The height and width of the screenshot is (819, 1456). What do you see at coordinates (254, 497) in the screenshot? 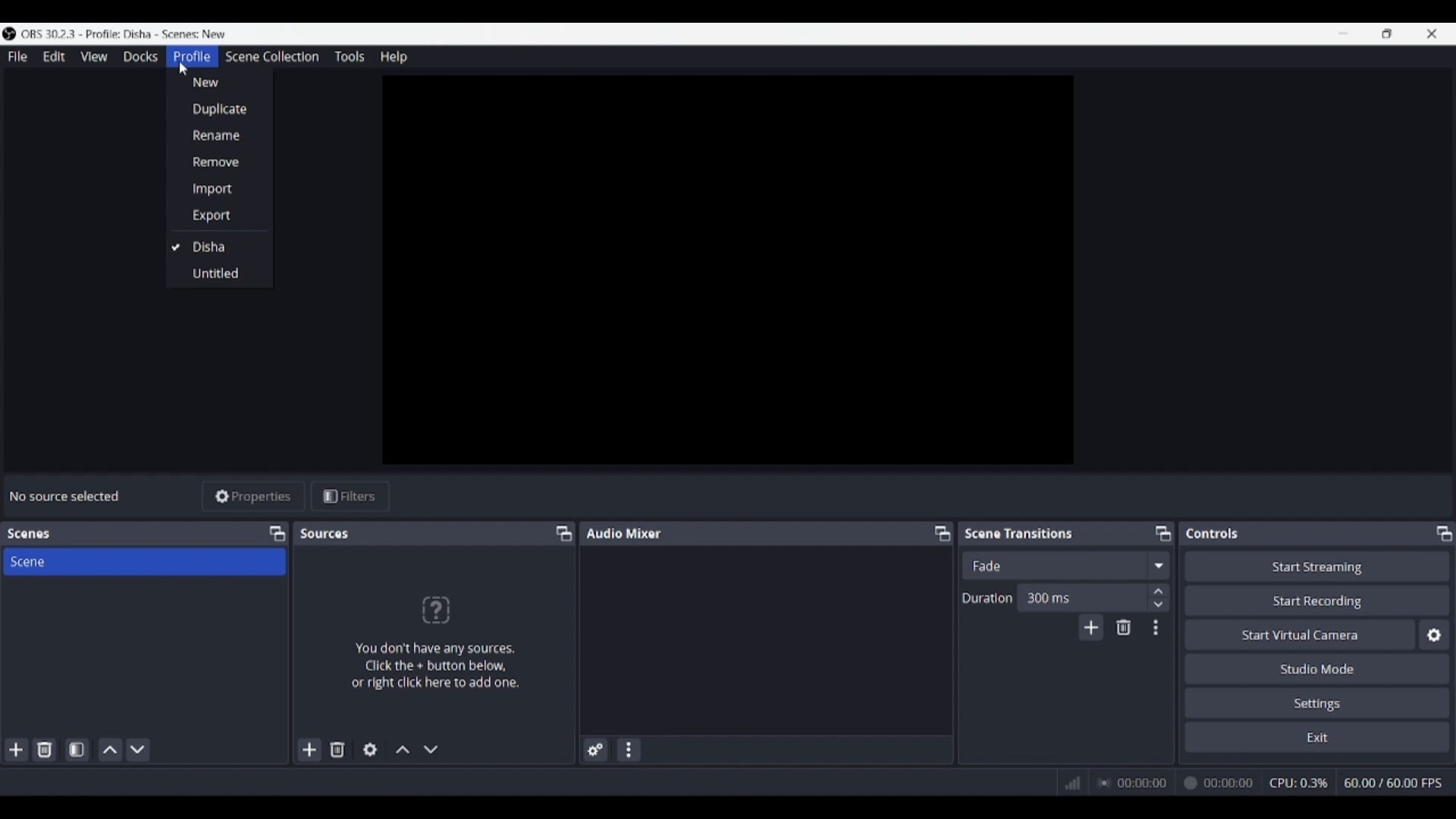
I see `Properties` at bounding box center [254, 497].